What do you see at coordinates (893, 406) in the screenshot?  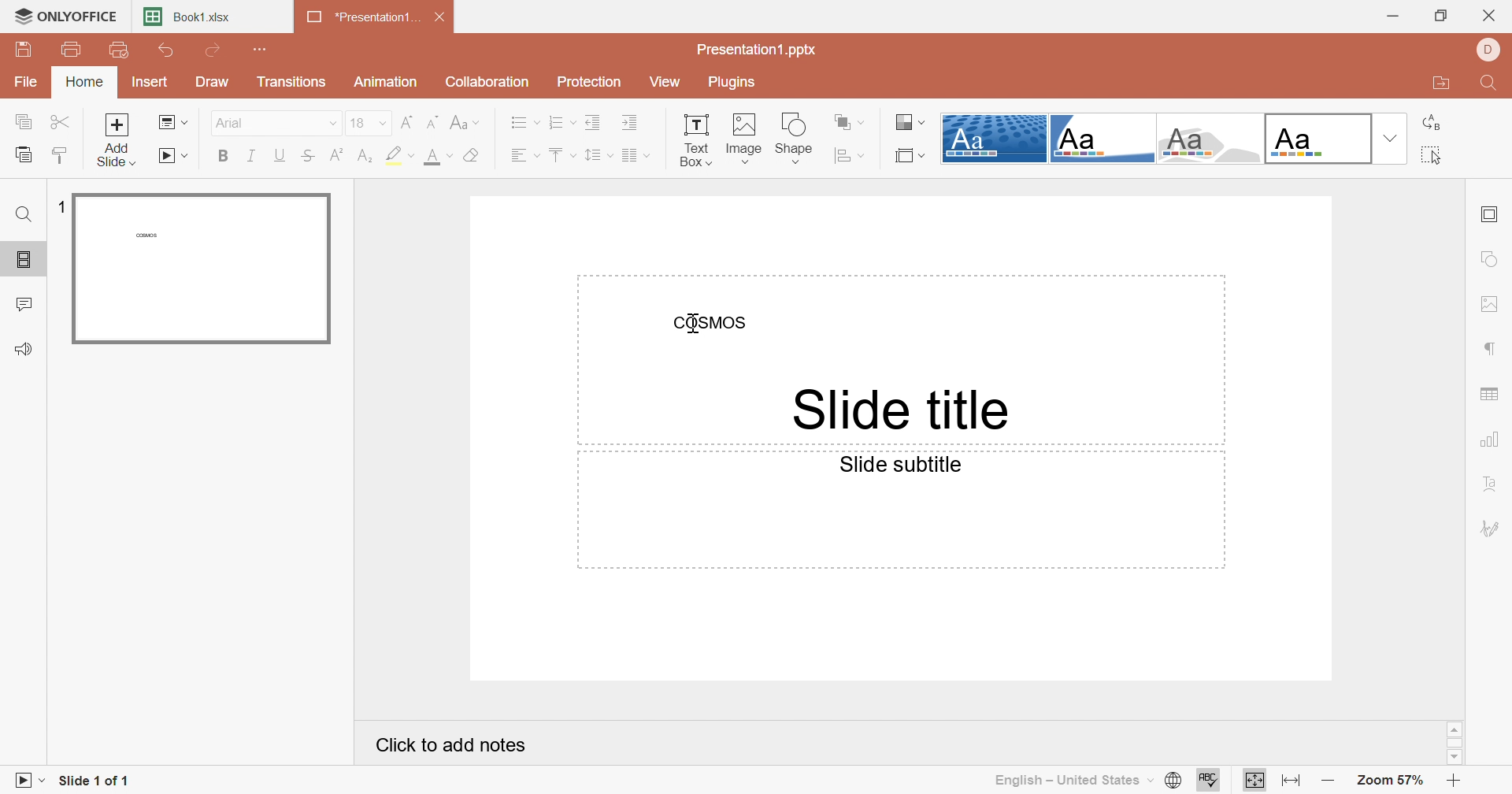 I see `Side title` at bounding box center [893, 406].